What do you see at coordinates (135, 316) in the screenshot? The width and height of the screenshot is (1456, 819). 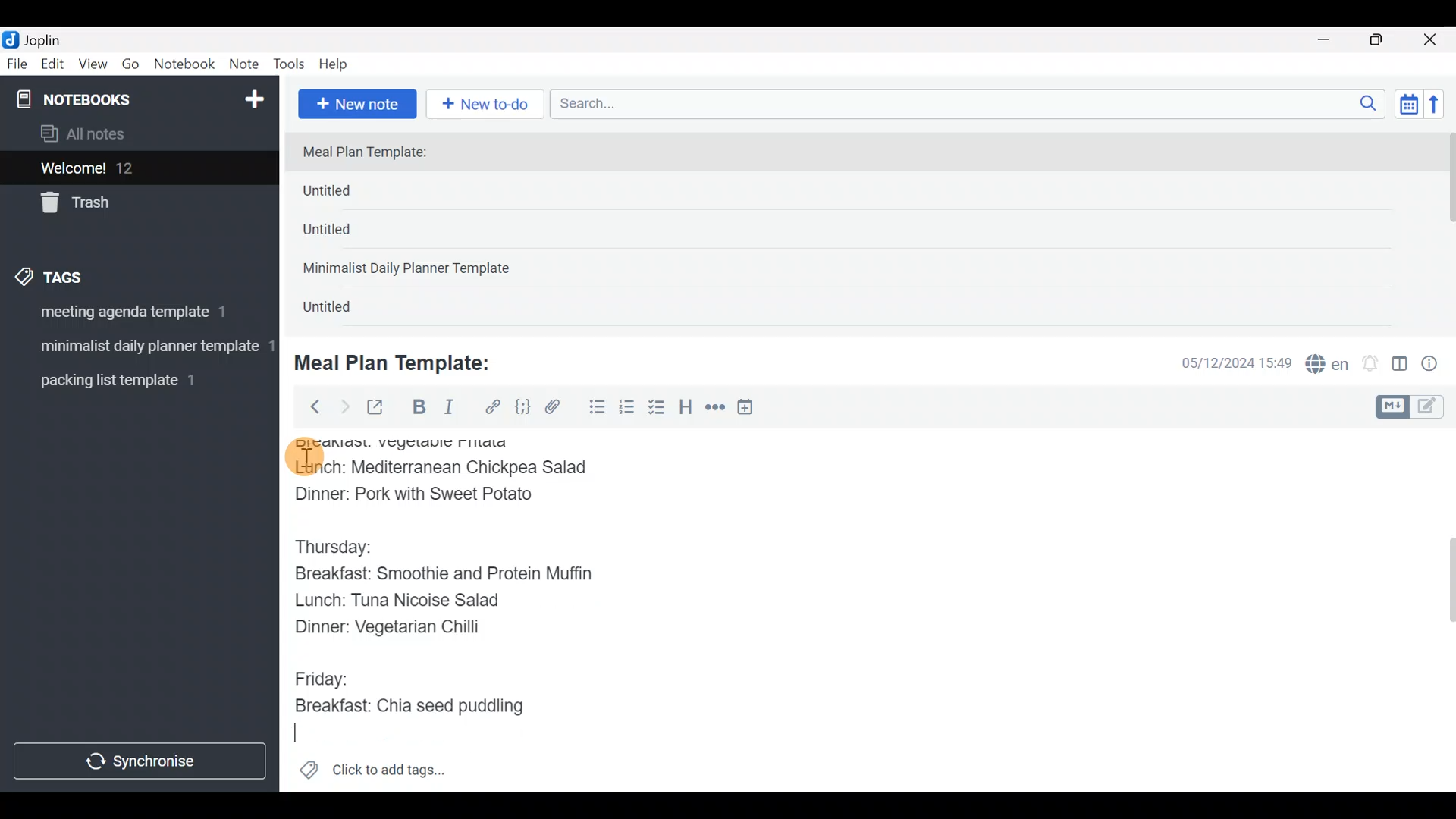 I see `Tag 1` at bounding box center [135, 316].